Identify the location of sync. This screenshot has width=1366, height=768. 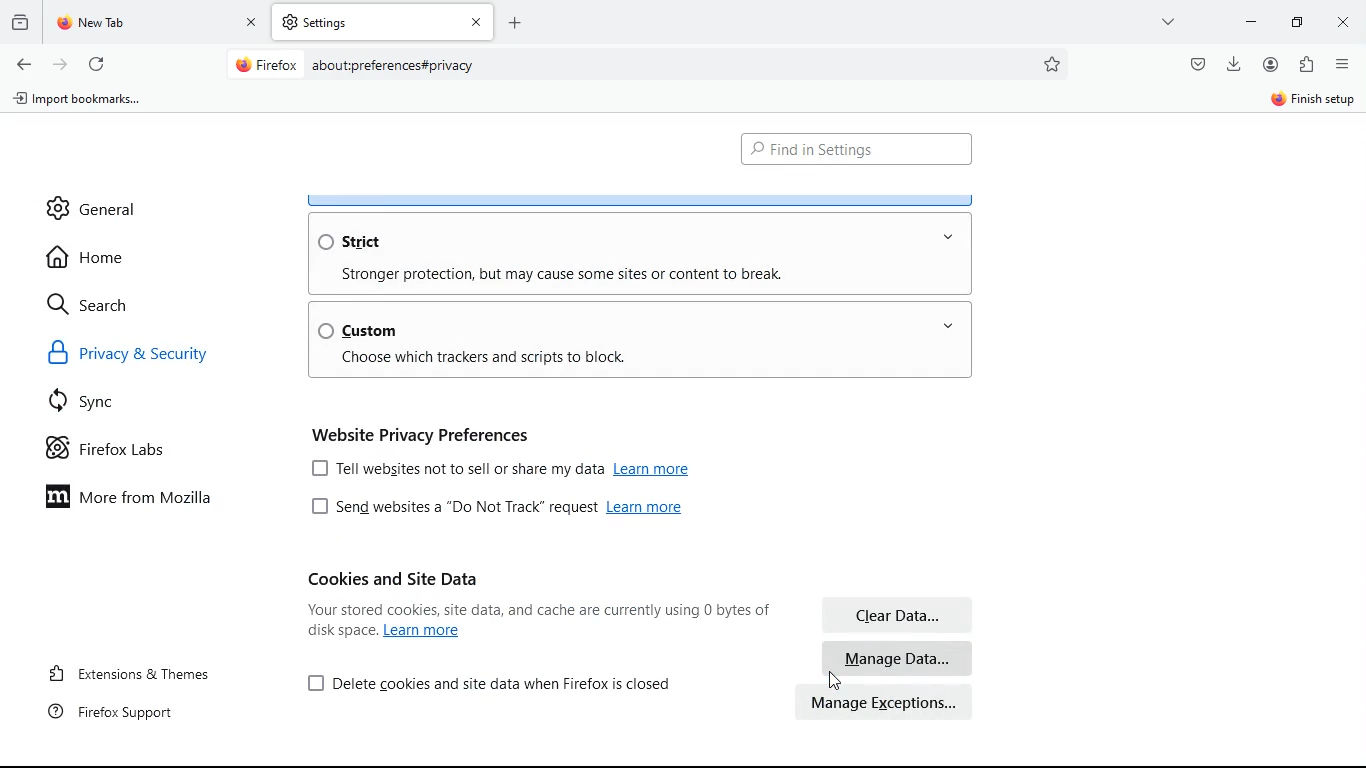
(91, 405).